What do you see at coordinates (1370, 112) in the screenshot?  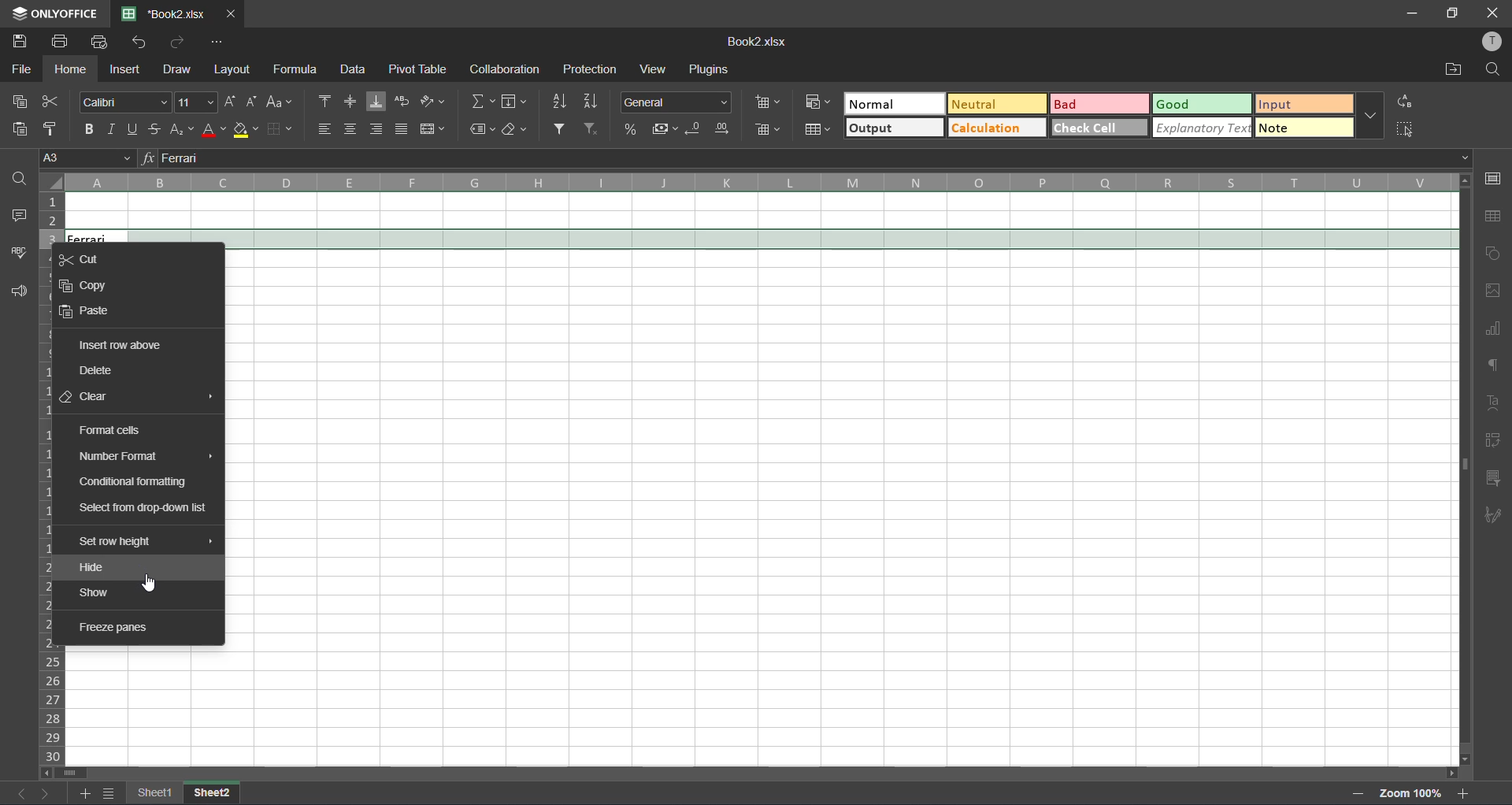 I see `more options` at bounding box center [1370, 112].